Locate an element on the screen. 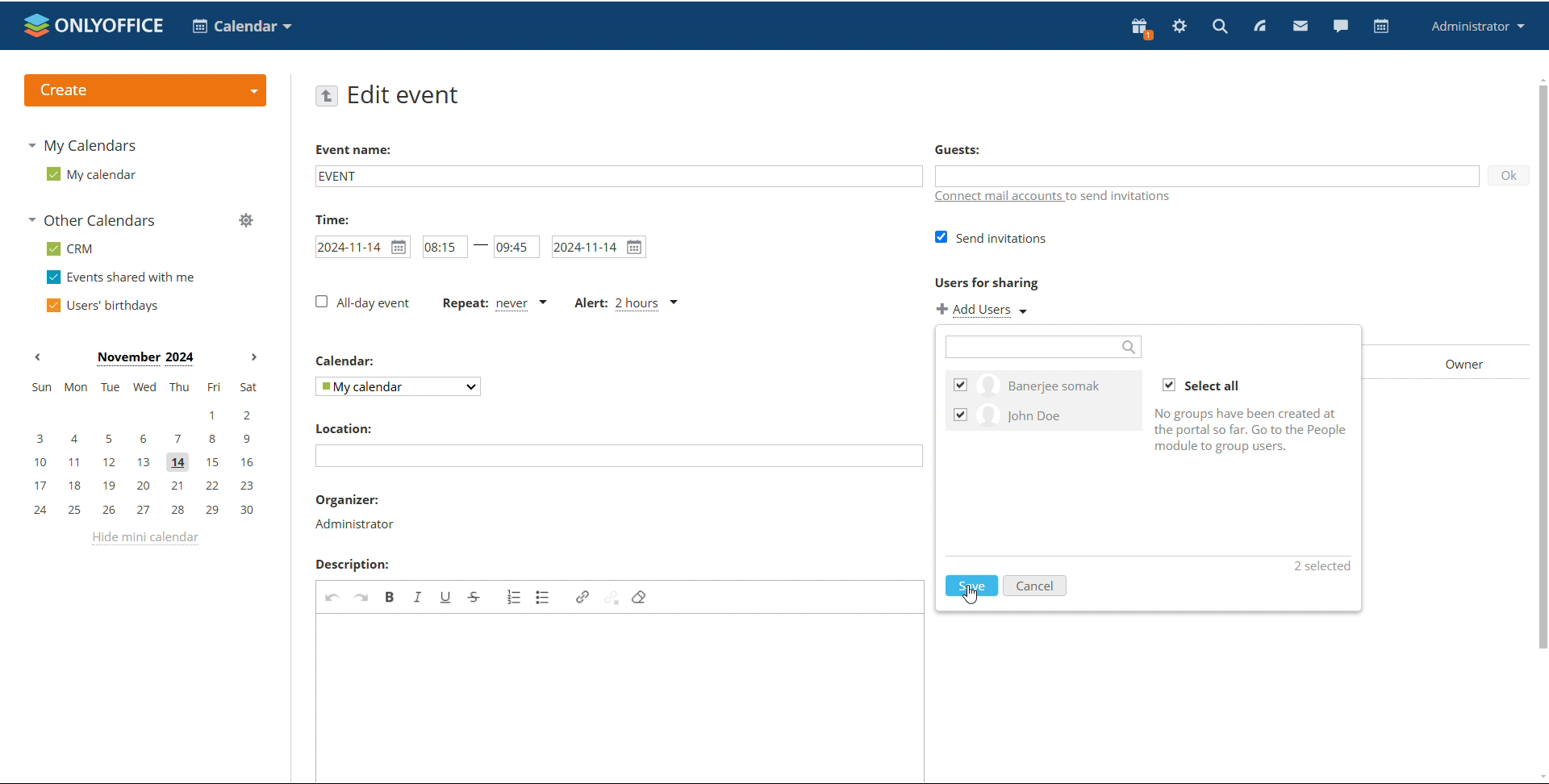 The width and height of the screenshot is (1549, 784). cancel is located at coordinates (1037, 586).